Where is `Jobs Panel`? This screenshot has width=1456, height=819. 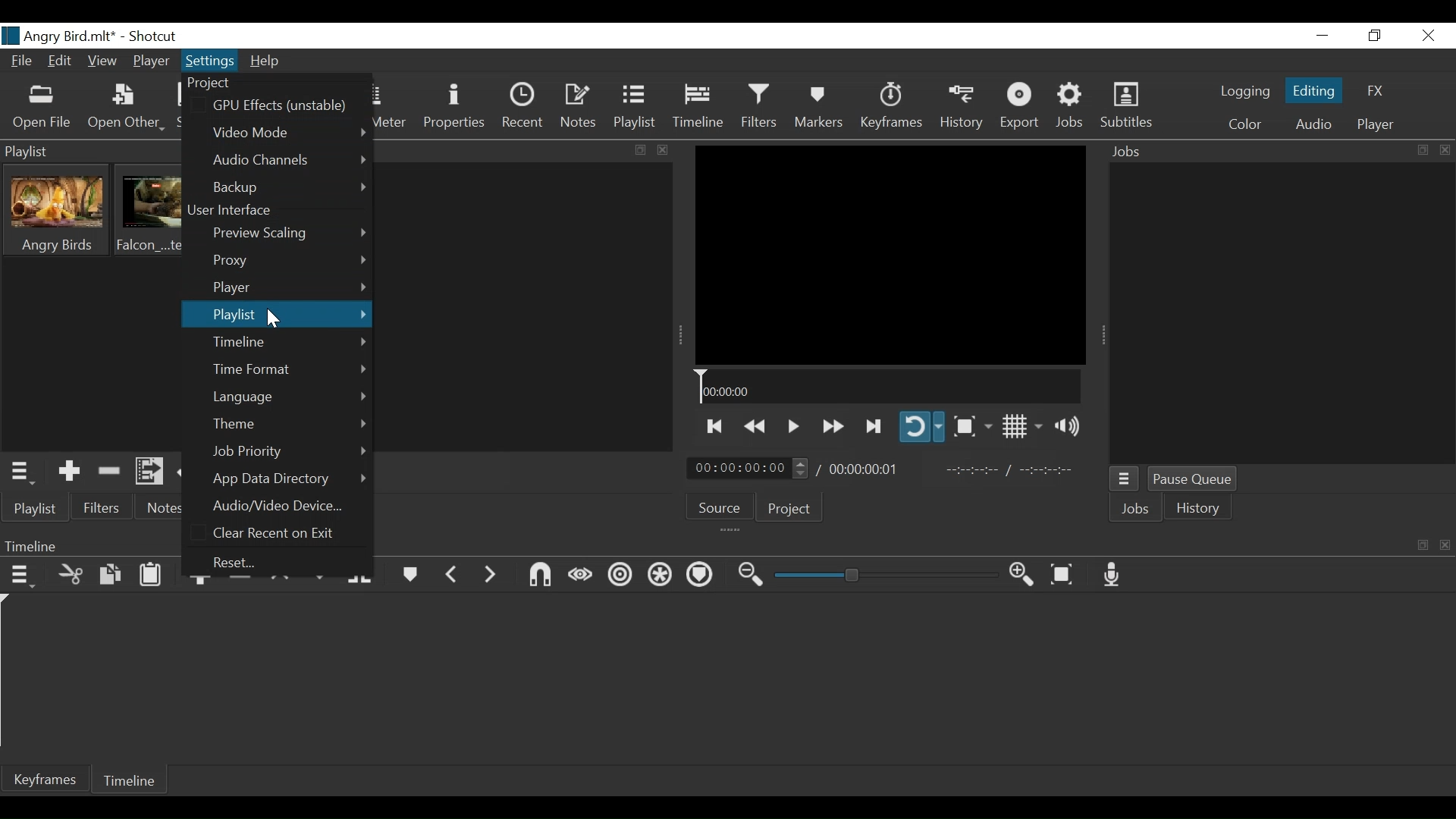 Jobs Panel is located at coordinates (1280, 149).